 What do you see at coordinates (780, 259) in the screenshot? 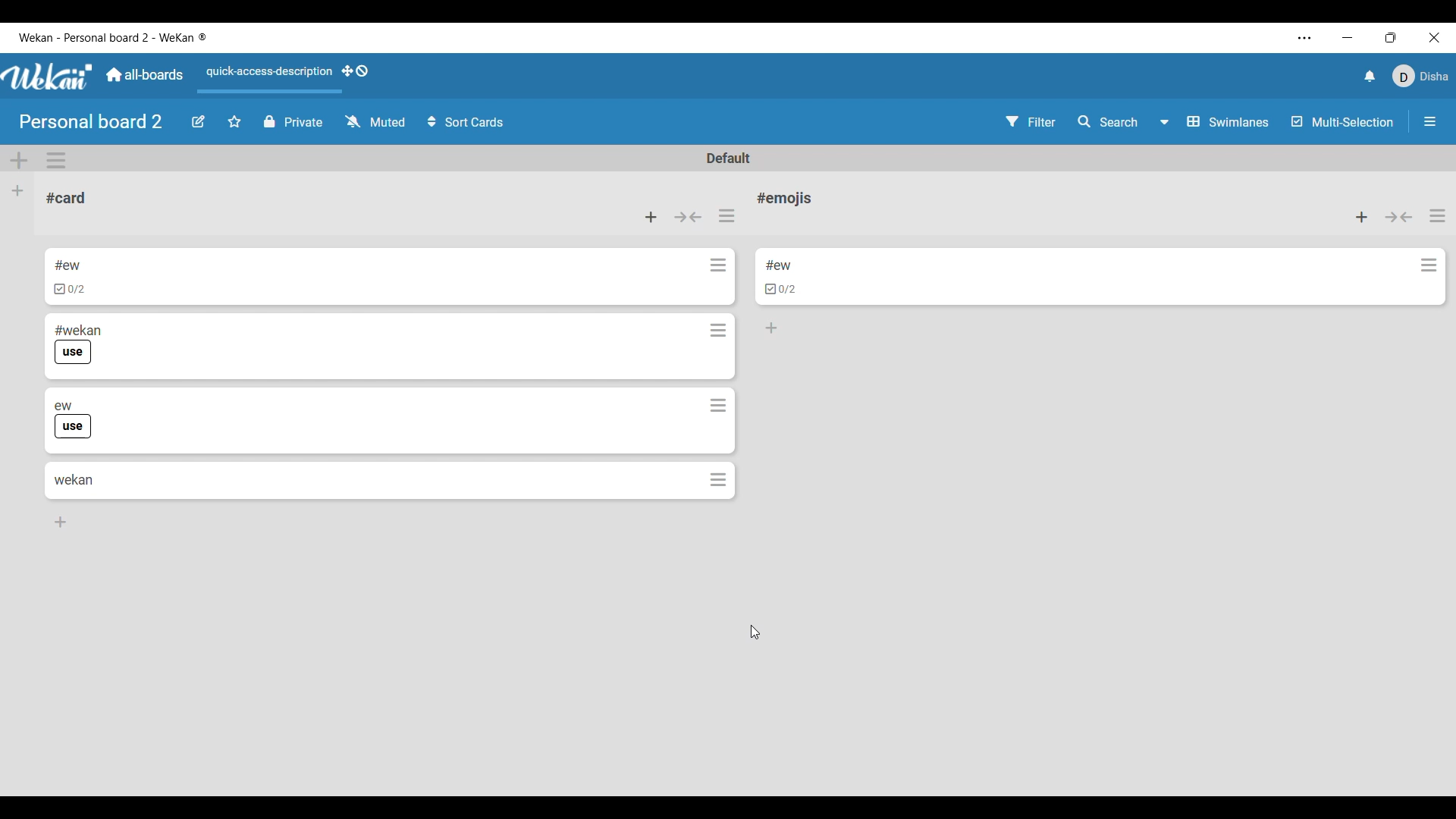
I see `Add card to bottom of list` at bounding box center [780, 259].